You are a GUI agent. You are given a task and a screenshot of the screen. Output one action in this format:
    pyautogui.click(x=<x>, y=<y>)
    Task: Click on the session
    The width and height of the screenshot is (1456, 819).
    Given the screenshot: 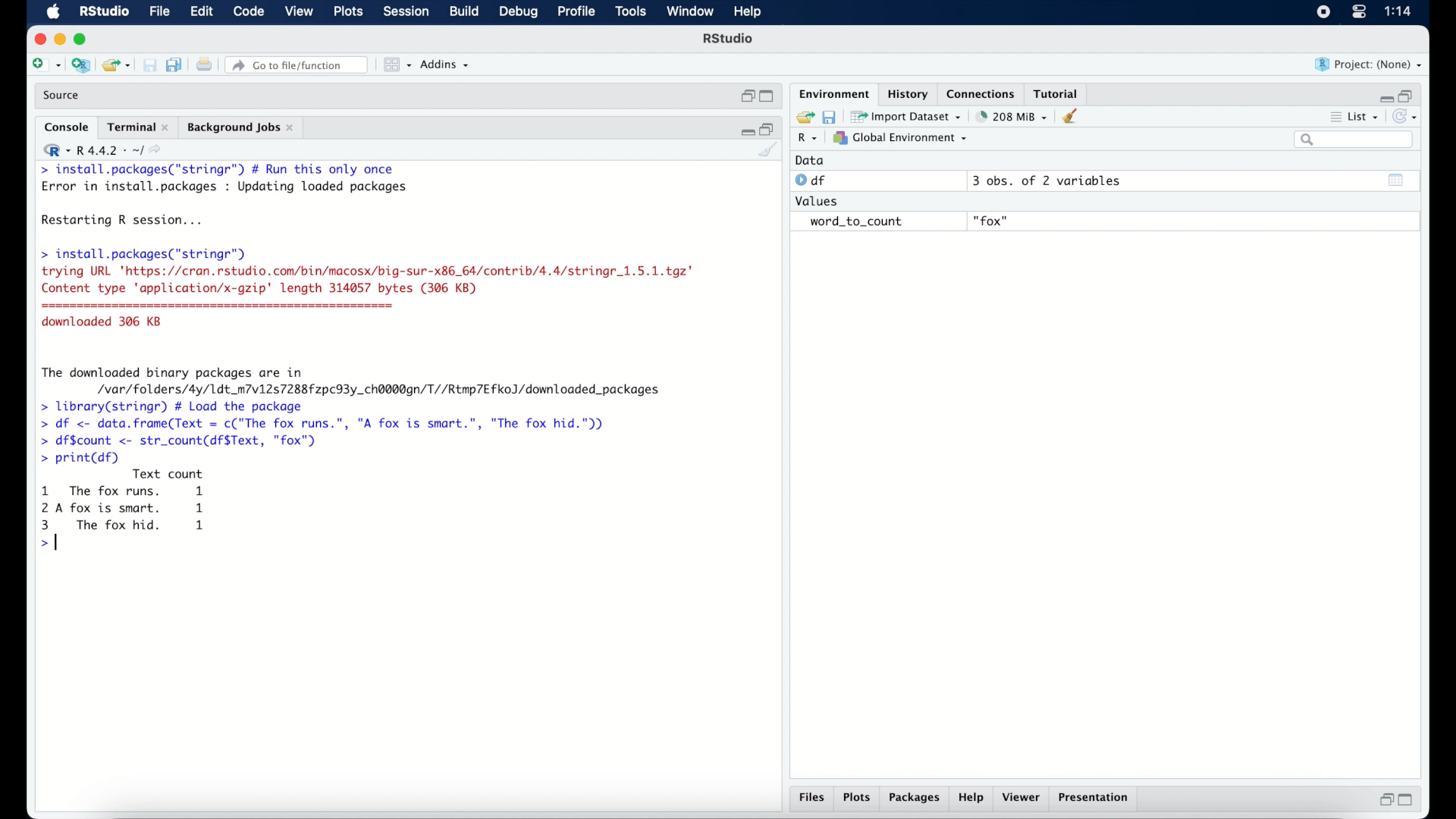 What is the action you would take?
    pyautogui.click(x=405, y=12)
    